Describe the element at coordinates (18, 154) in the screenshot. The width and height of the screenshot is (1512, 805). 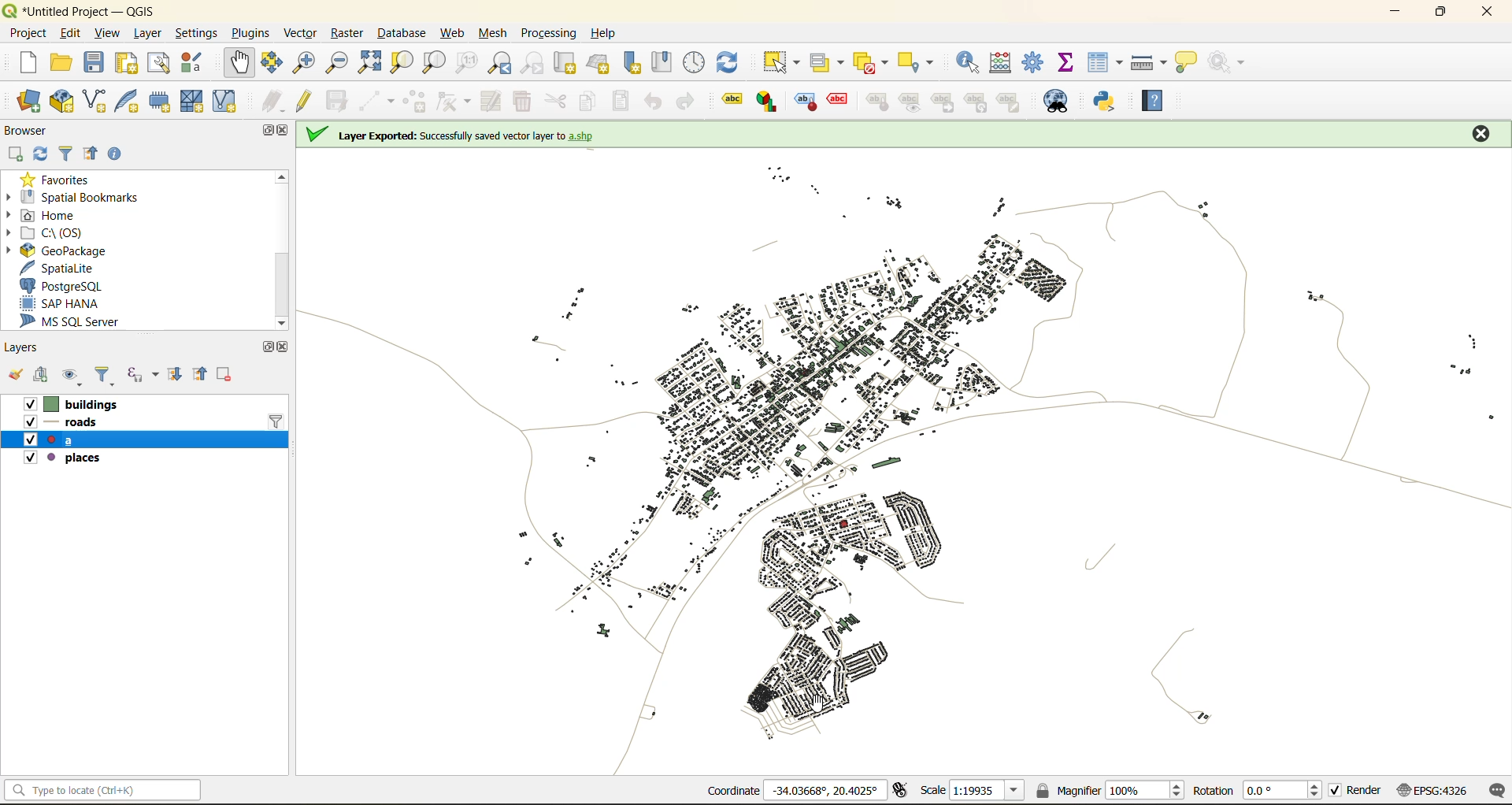
I see `add` at that location.